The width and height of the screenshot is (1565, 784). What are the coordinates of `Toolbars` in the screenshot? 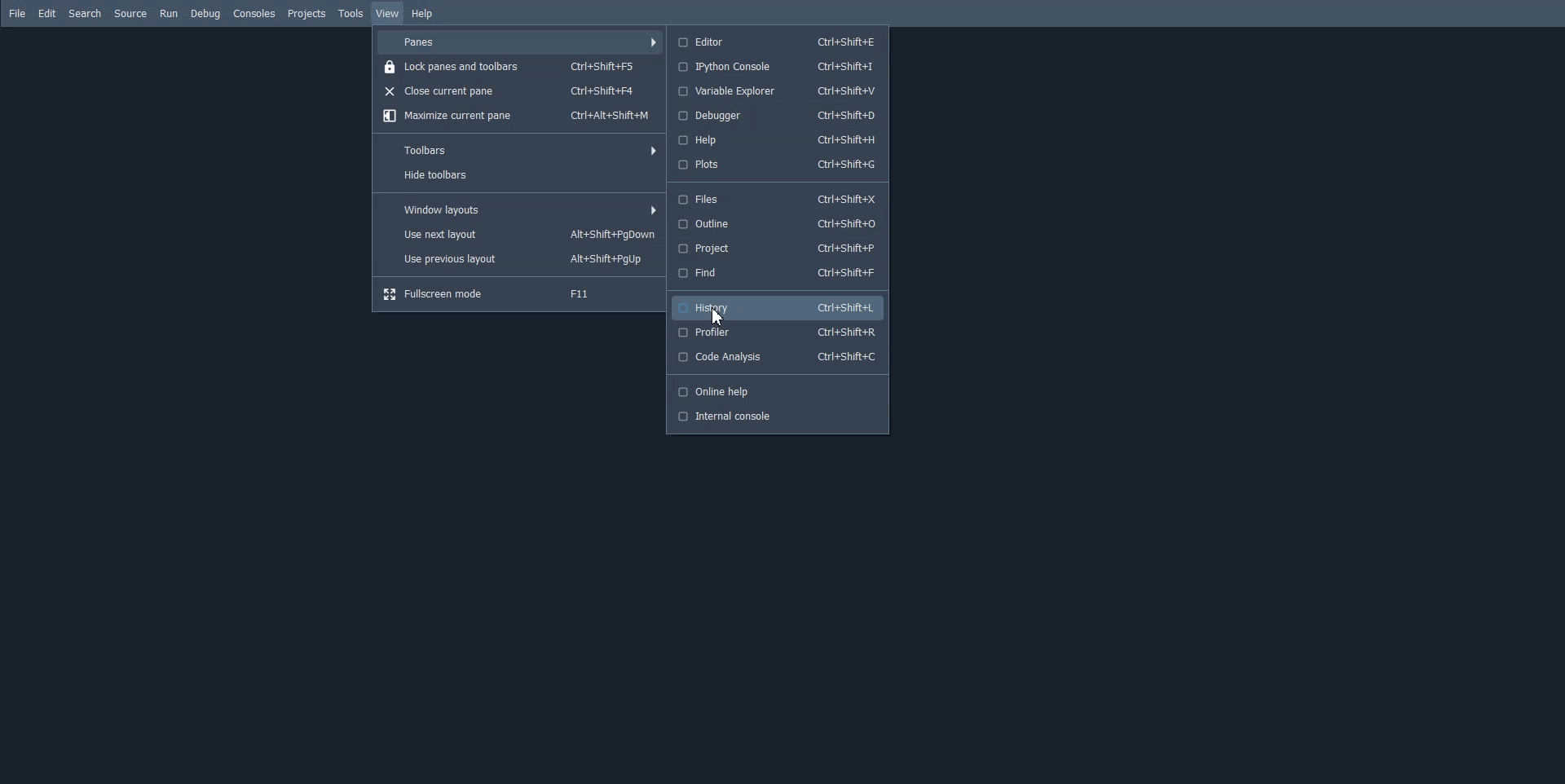 It's located at (518, 149).